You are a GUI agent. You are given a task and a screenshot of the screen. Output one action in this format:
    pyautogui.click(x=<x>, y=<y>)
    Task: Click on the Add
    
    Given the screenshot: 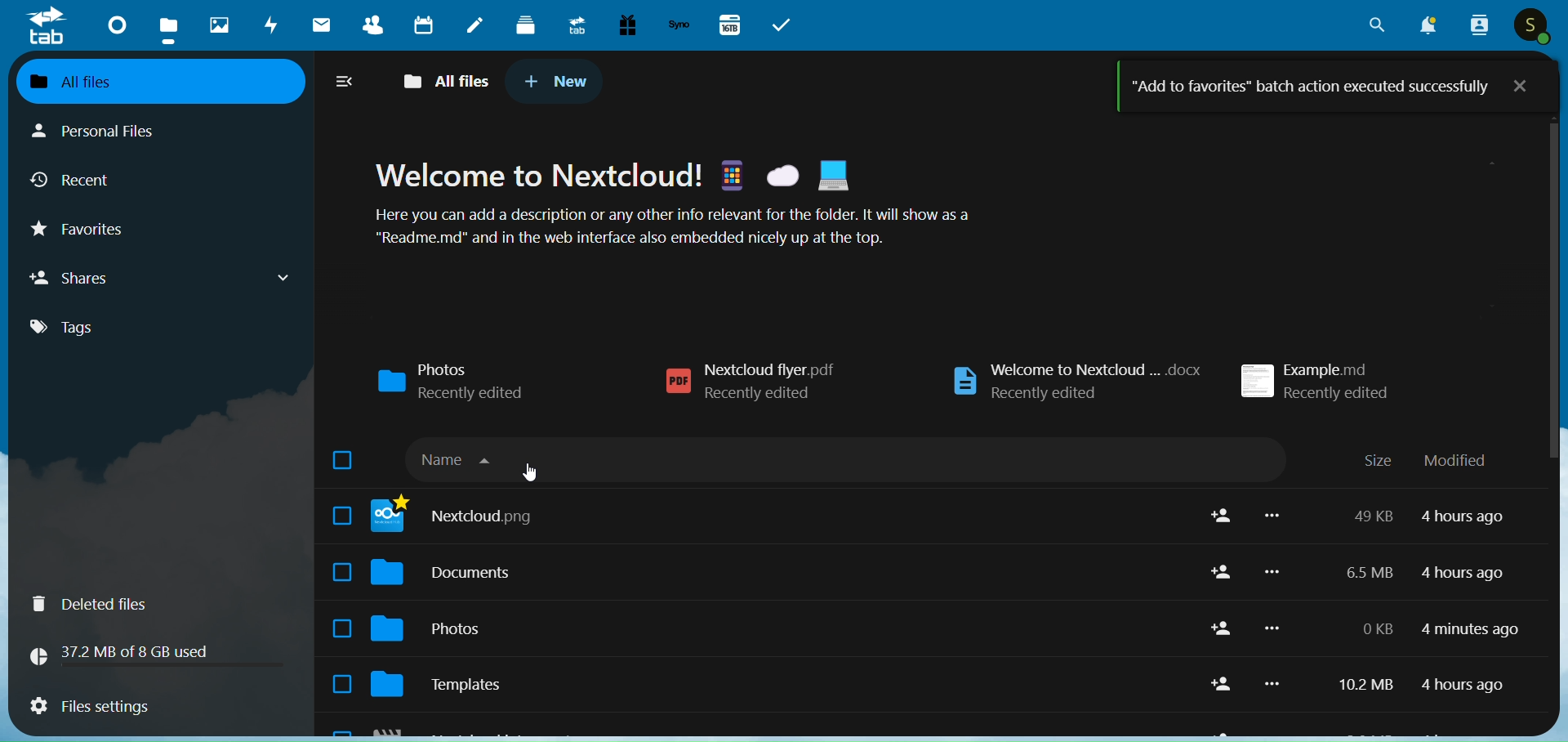 What is the action you would take?
    pyautogui.click(x=1223, y=516)
    